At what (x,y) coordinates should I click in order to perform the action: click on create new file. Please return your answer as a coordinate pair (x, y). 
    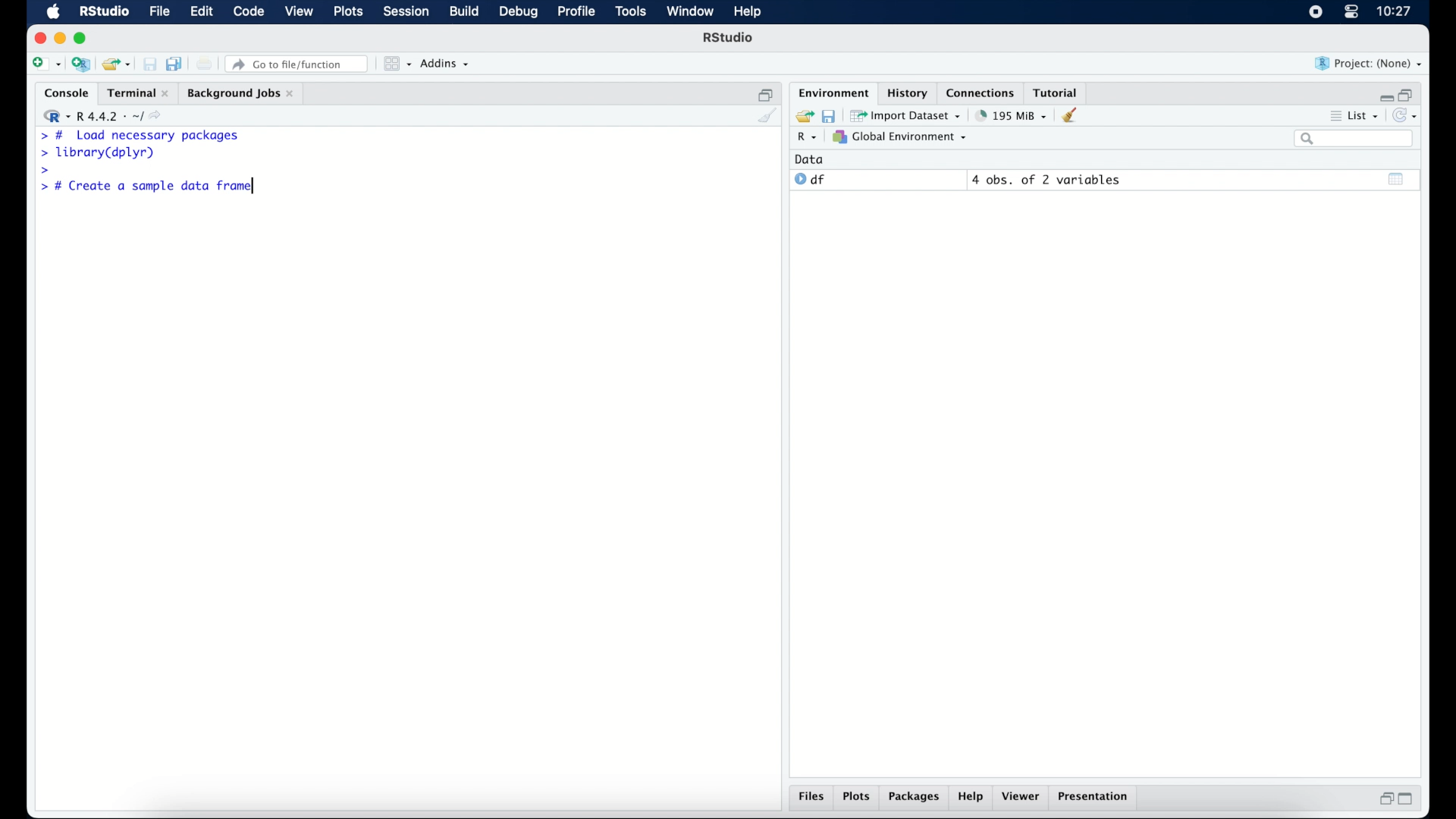
    Looking at the image, I should click on (45, 65).